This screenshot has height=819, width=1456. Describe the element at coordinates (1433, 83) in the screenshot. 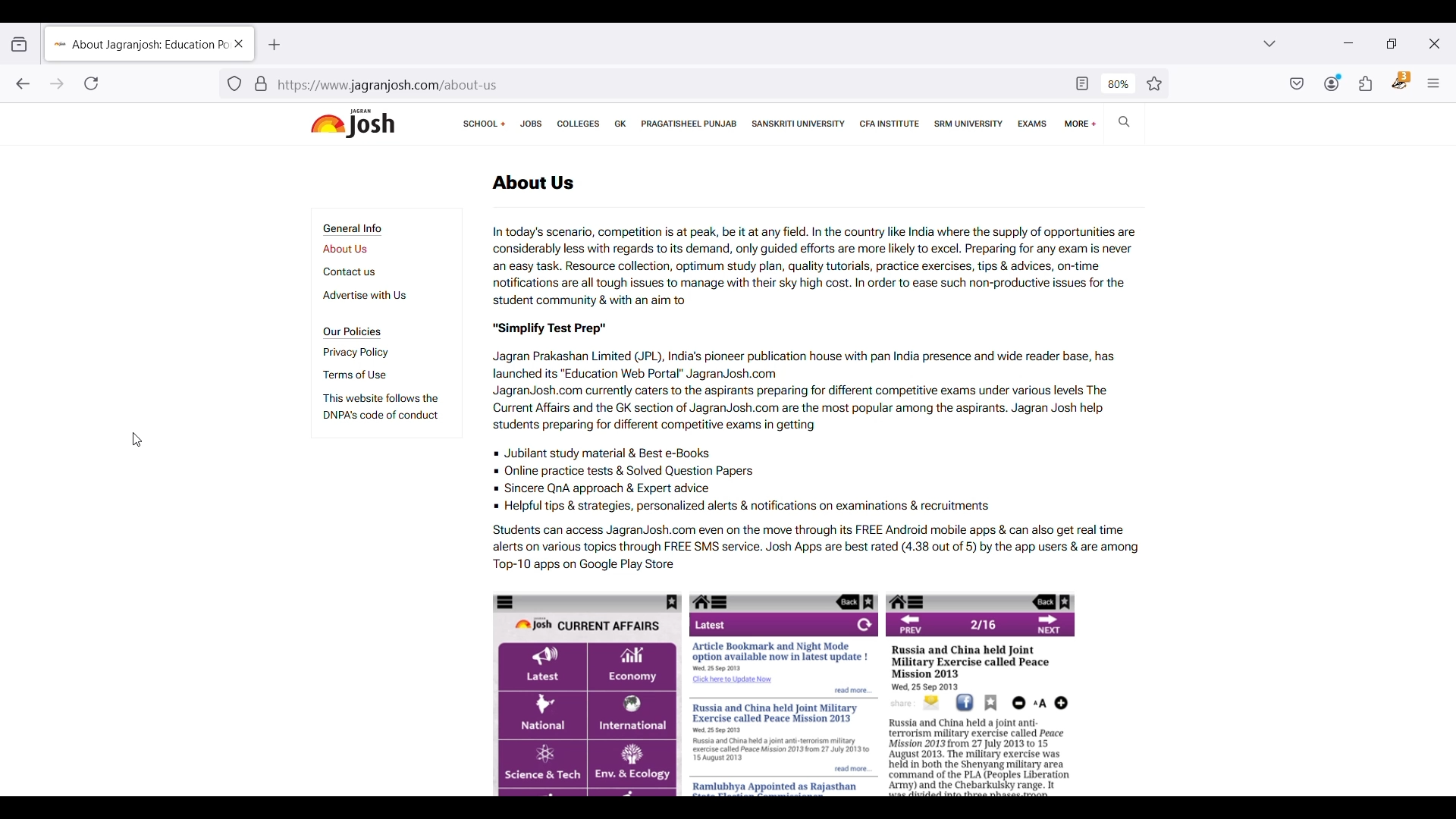

I see `Open application menu` at that location.